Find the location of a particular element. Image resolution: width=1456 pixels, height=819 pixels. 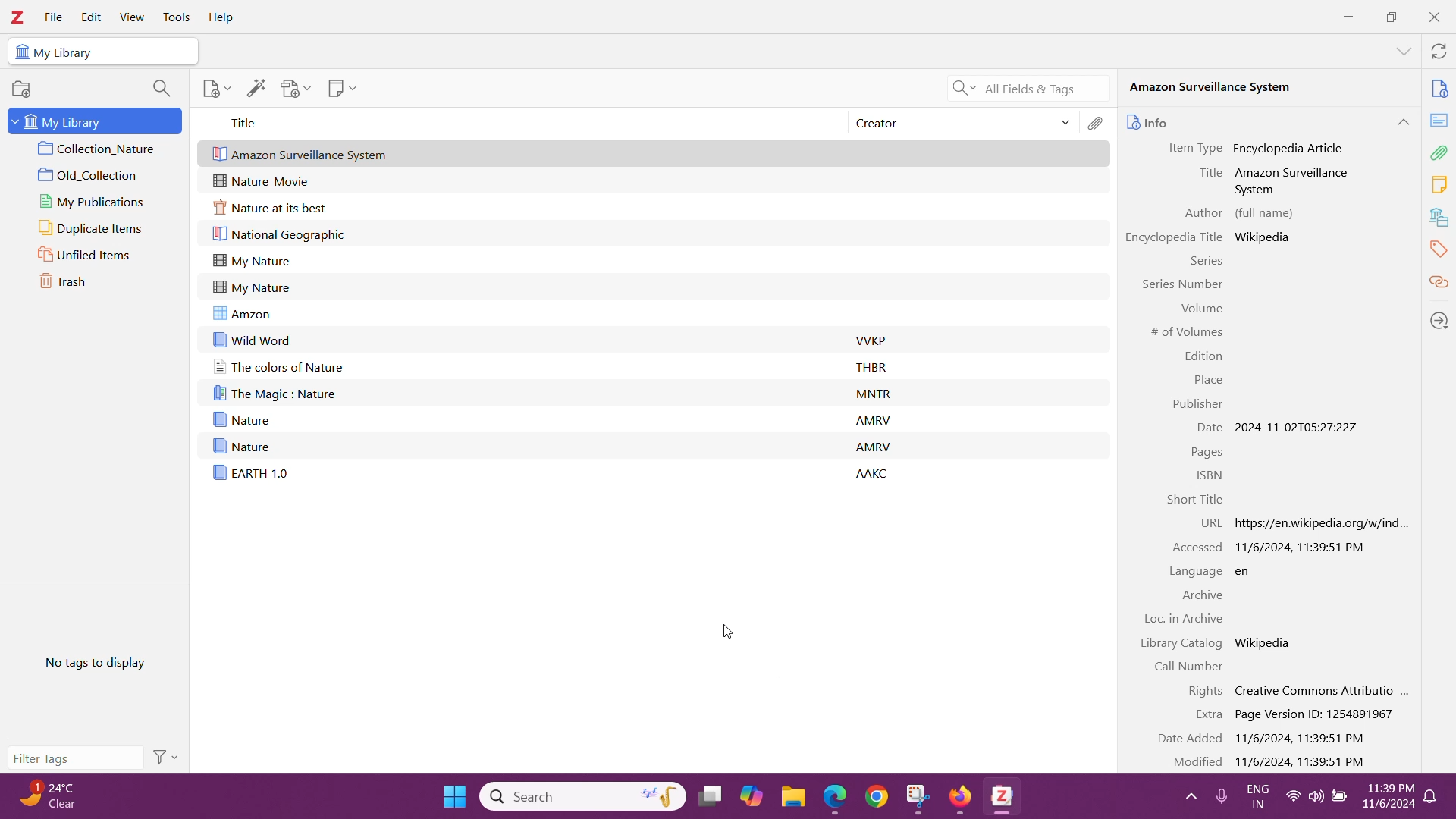

Date Added is located at coordinates (1189, 739).